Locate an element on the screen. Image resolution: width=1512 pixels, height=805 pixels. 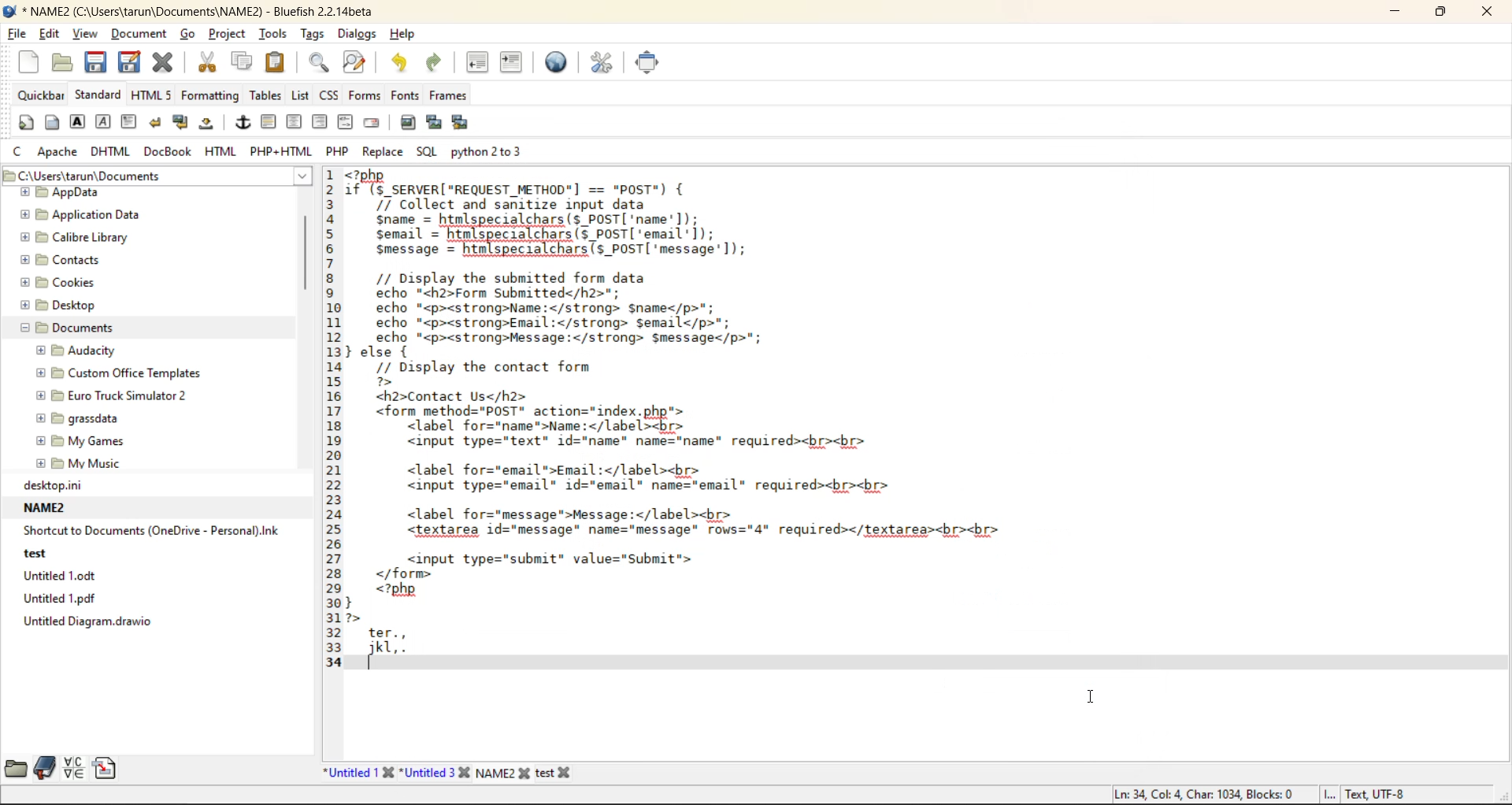
insert thumbnail is located at coordinates (433, 121).